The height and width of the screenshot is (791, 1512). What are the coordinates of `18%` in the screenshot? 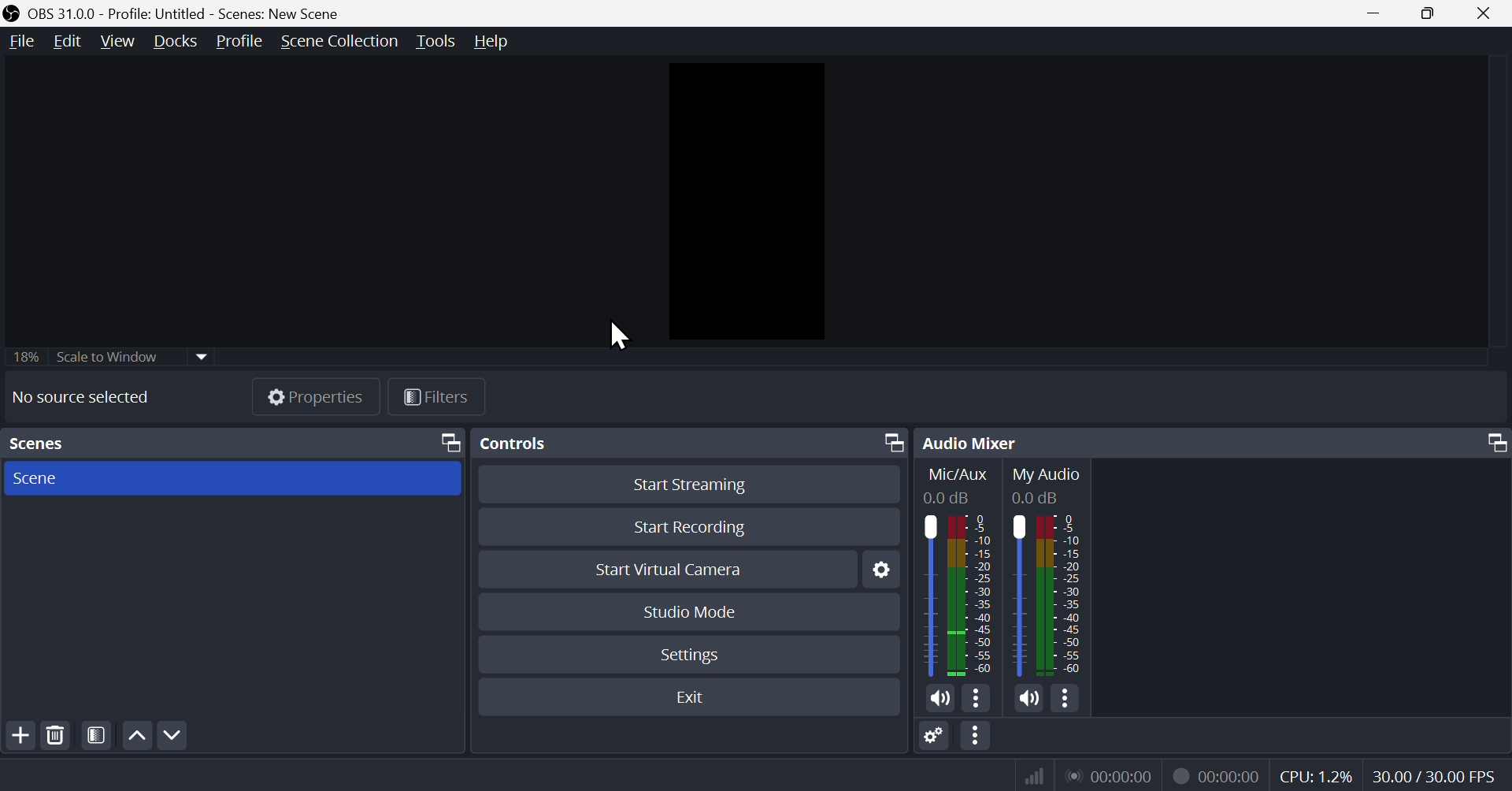 It's located at (24, 355).